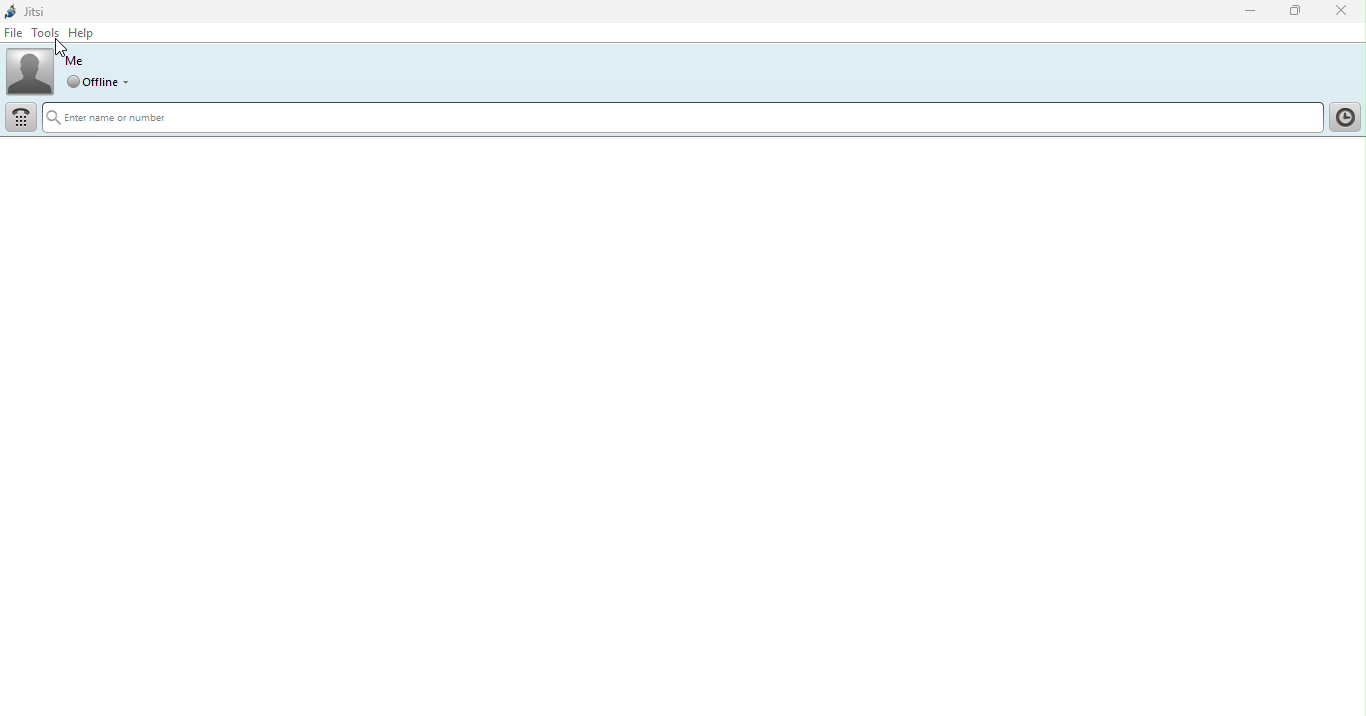  What do you see at coordinates (1298, 13) in the screenshot?
I see `Maximize` at bounding box center [1298, 13].